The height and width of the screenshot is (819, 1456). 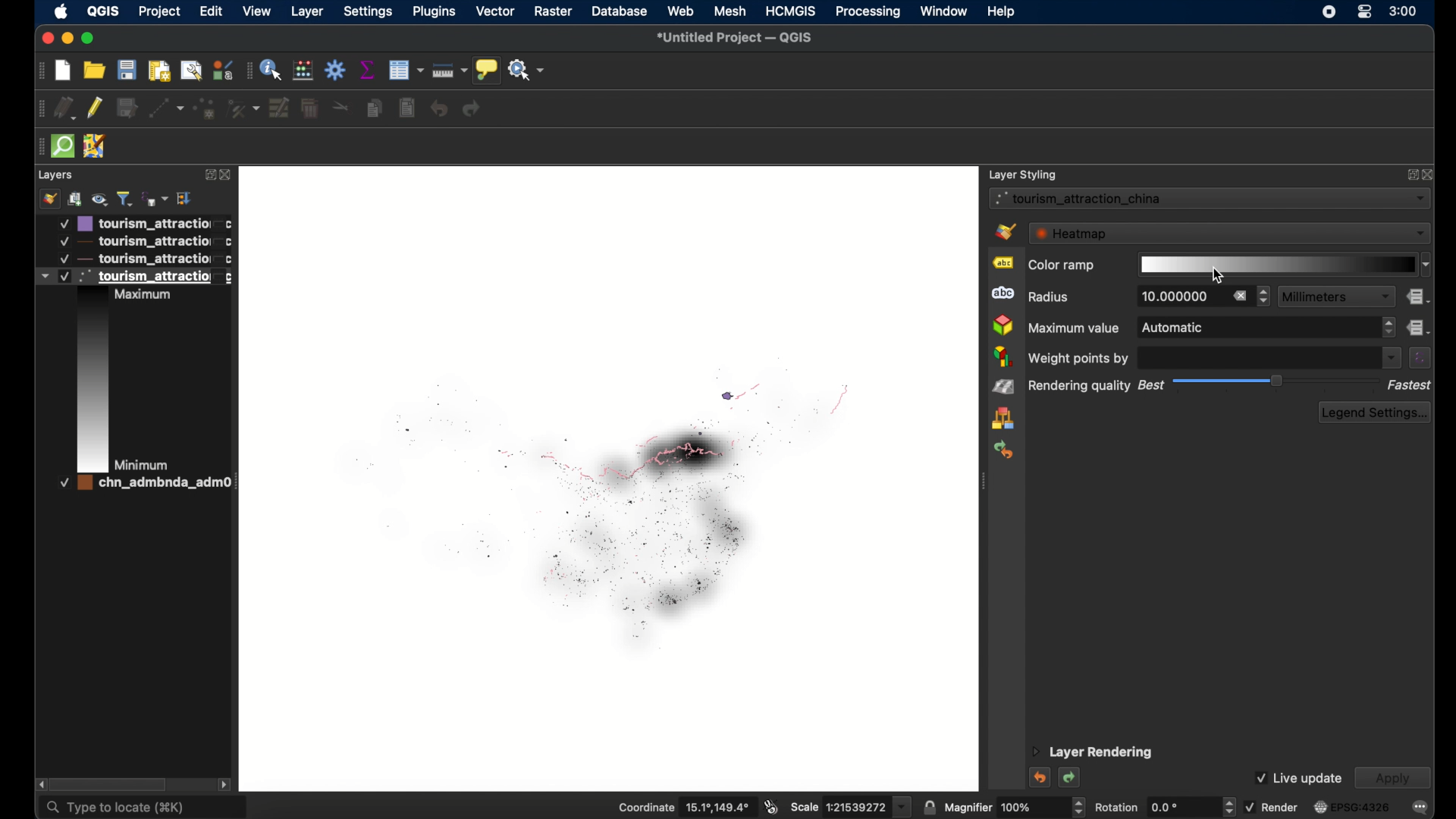 I want to click on 3d view, so click(x=1003, y=325).